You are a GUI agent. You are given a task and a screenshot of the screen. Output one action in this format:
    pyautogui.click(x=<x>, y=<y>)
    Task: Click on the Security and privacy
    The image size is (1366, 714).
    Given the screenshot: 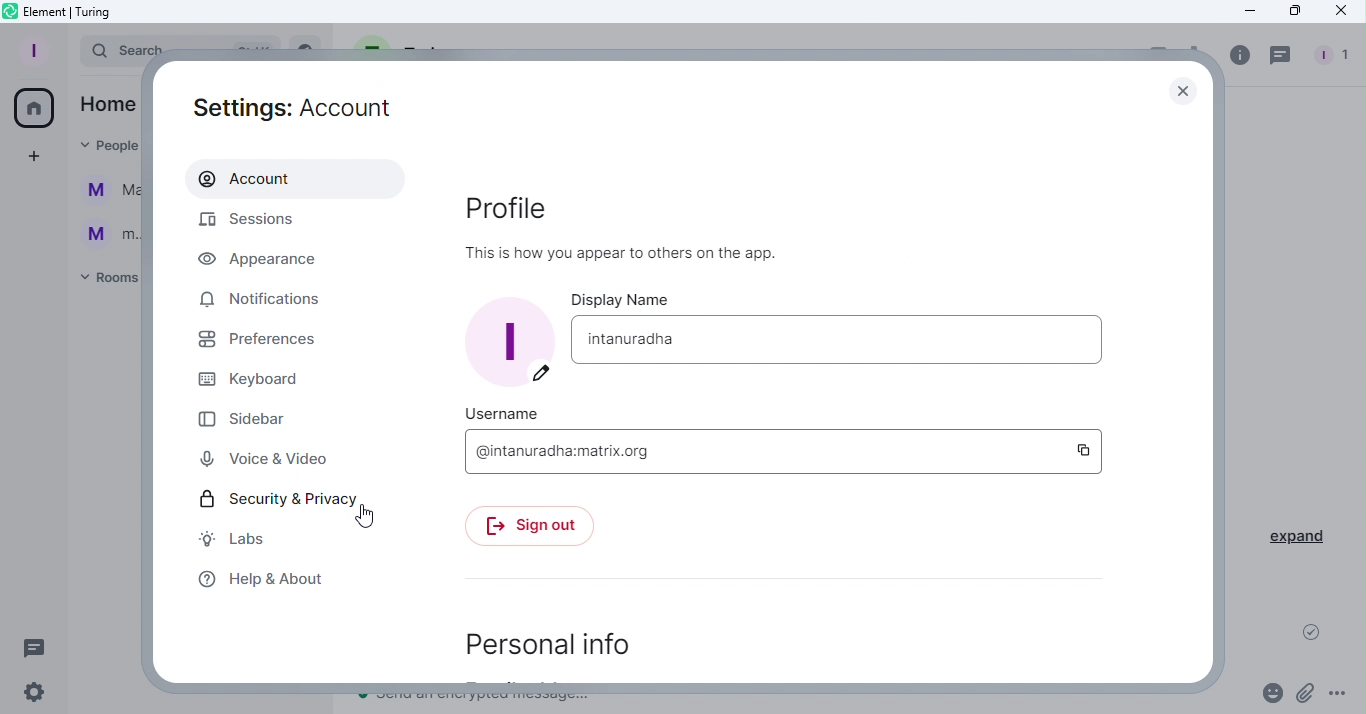 What is the action you would take?
    pyautogui.click(x=268, y=501)
    